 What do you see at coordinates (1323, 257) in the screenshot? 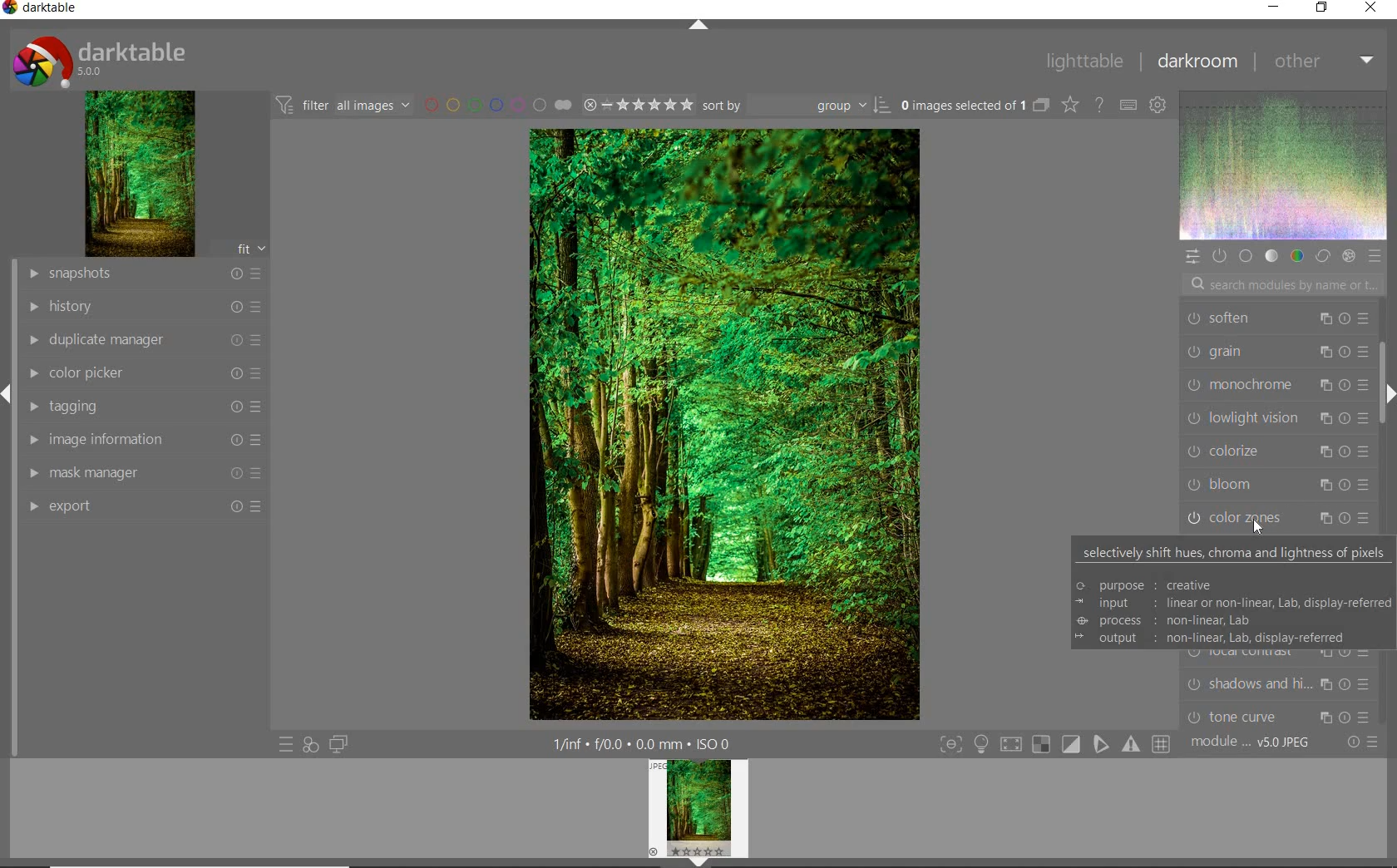
I see `CORRECT` at bounding box center [1323, 257].